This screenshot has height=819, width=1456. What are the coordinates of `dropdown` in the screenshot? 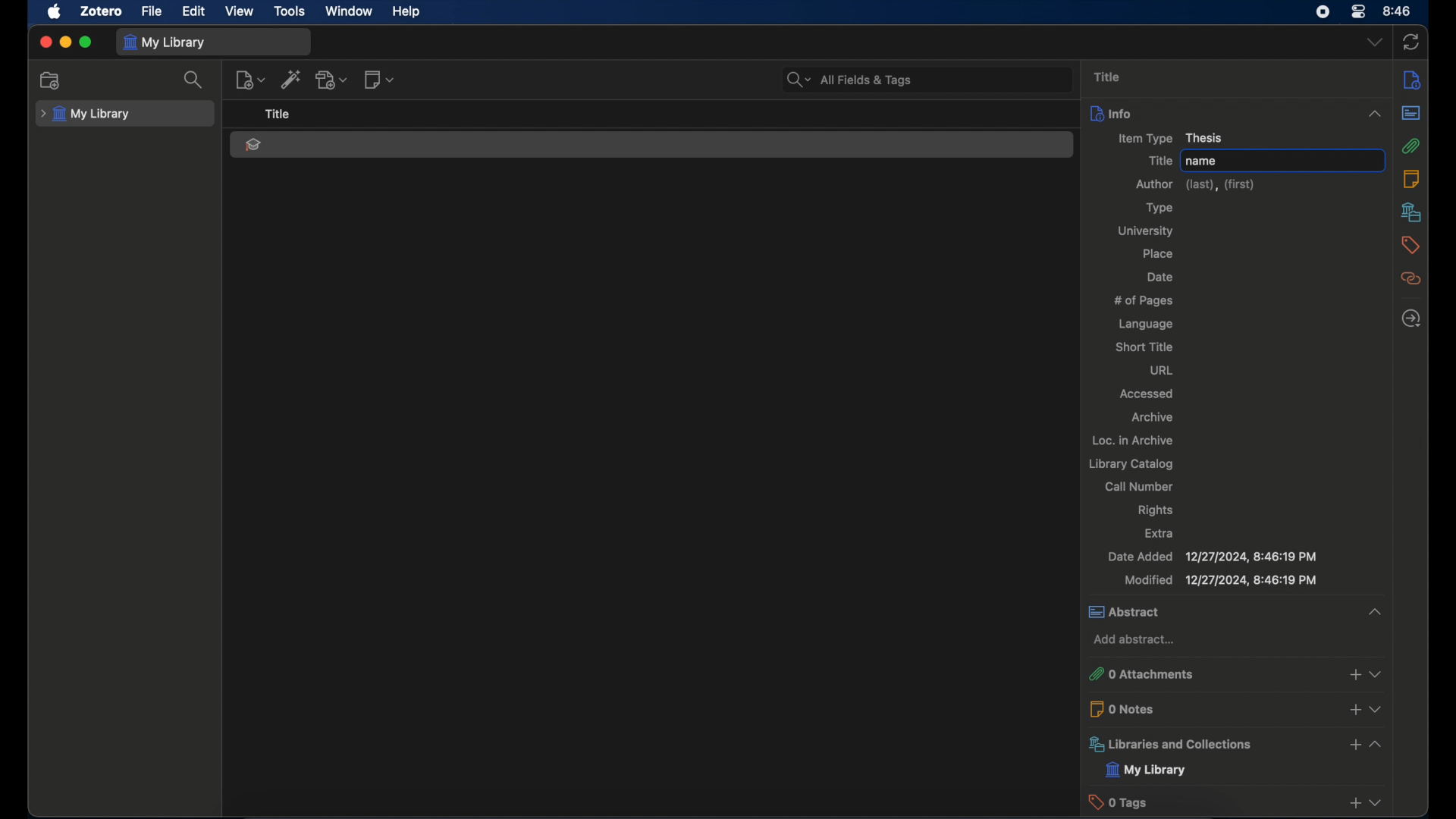 It's located at (1378, 802).